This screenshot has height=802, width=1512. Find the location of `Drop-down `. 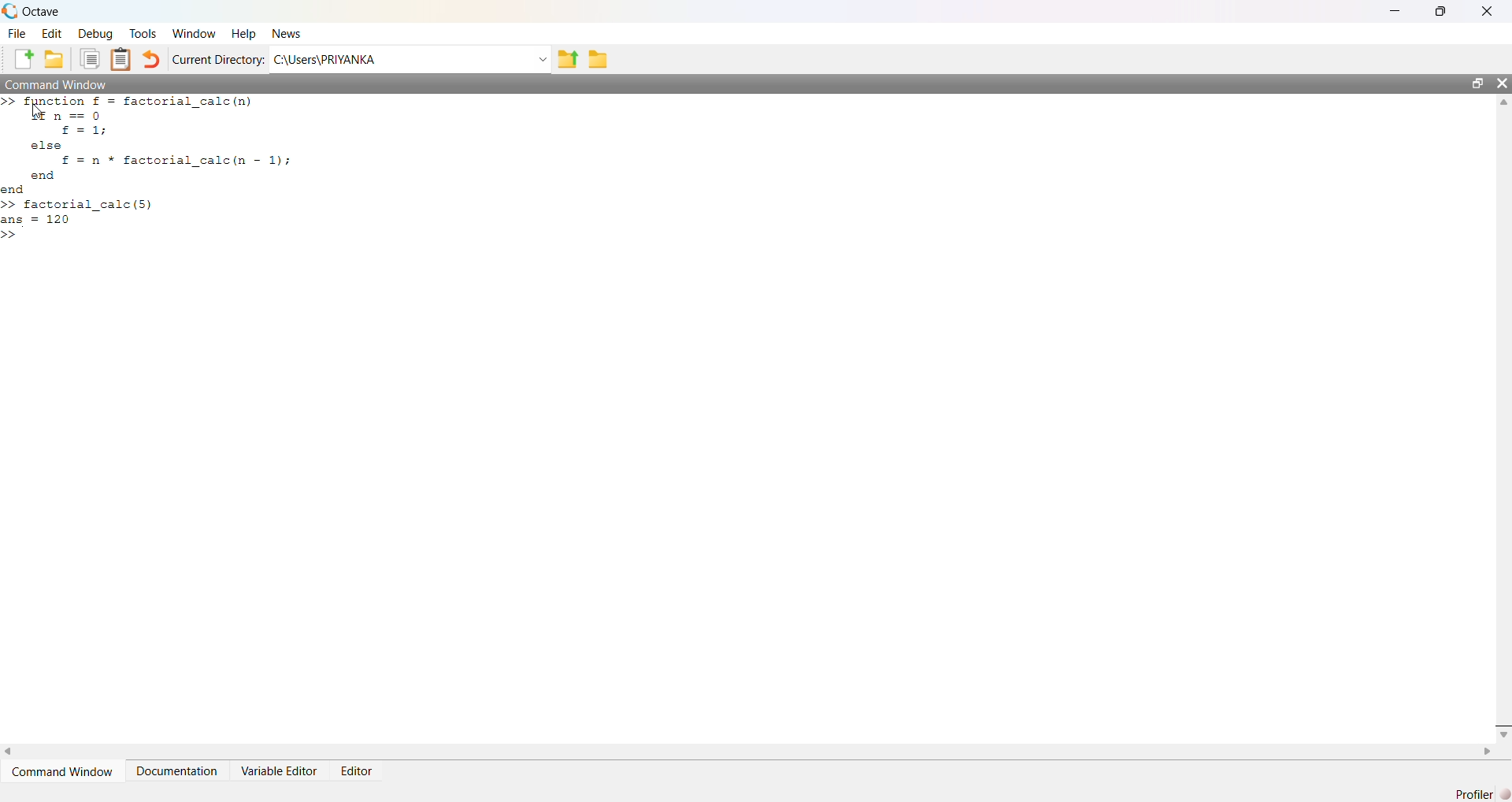

Drop-down  is located at coordinates (543, 60).